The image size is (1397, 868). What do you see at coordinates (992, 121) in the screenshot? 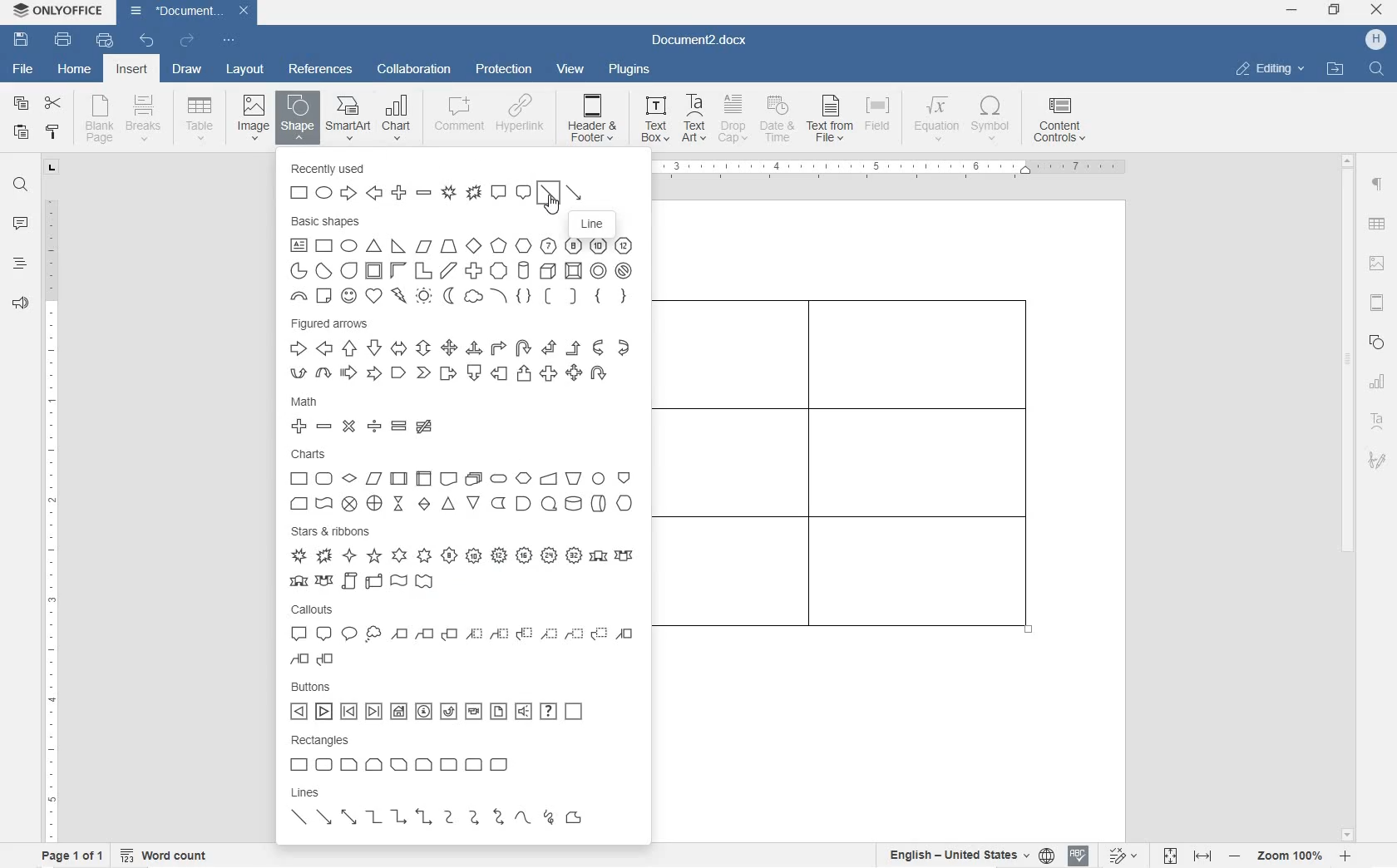
I see `SYMBOL` at bounding box center [992, 121].